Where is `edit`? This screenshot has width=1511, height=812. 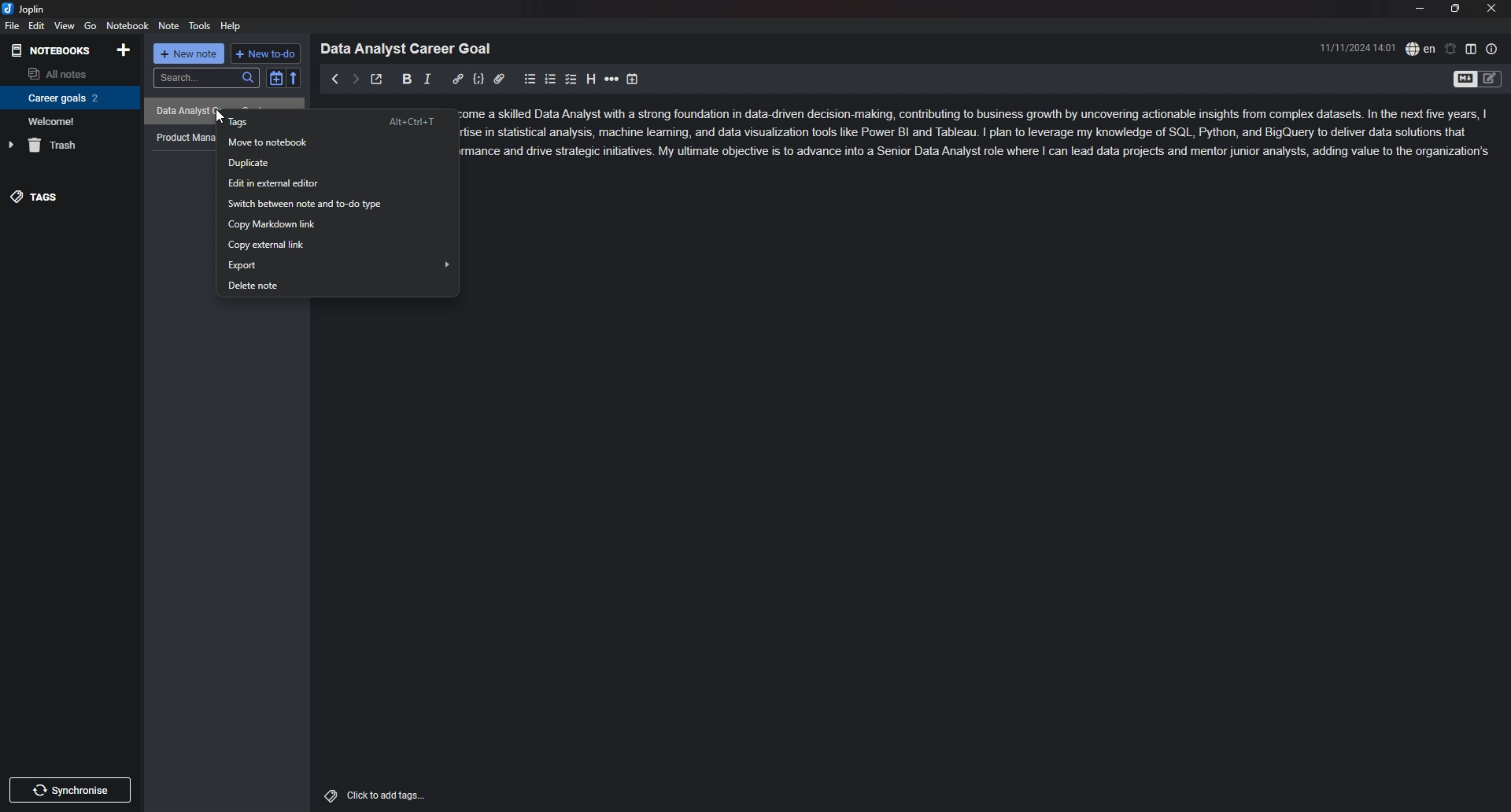 edit is located at coordinates (38, 25).